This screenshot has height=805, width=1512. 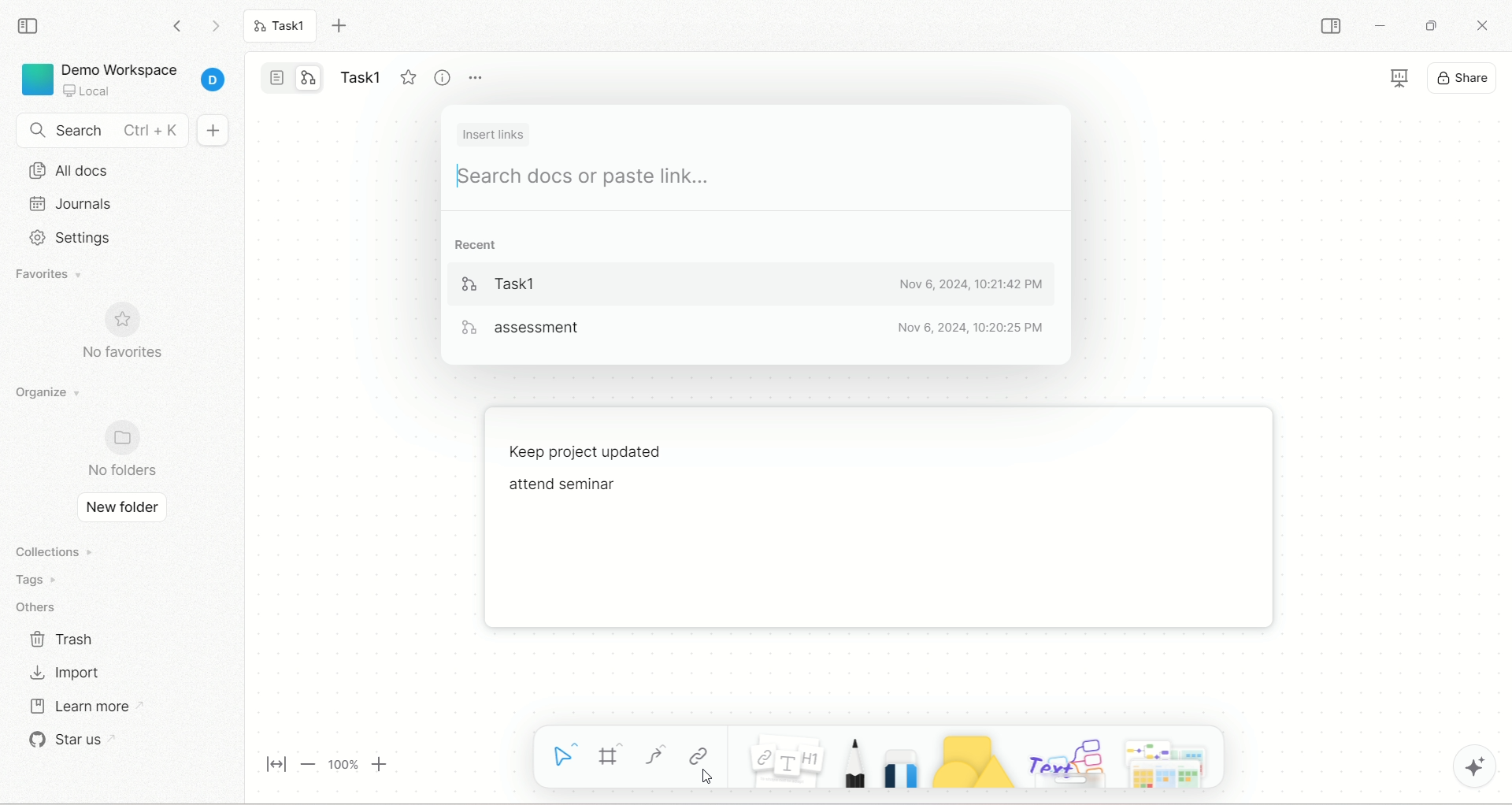 I want to click on curve, so click(x=654, y=755).